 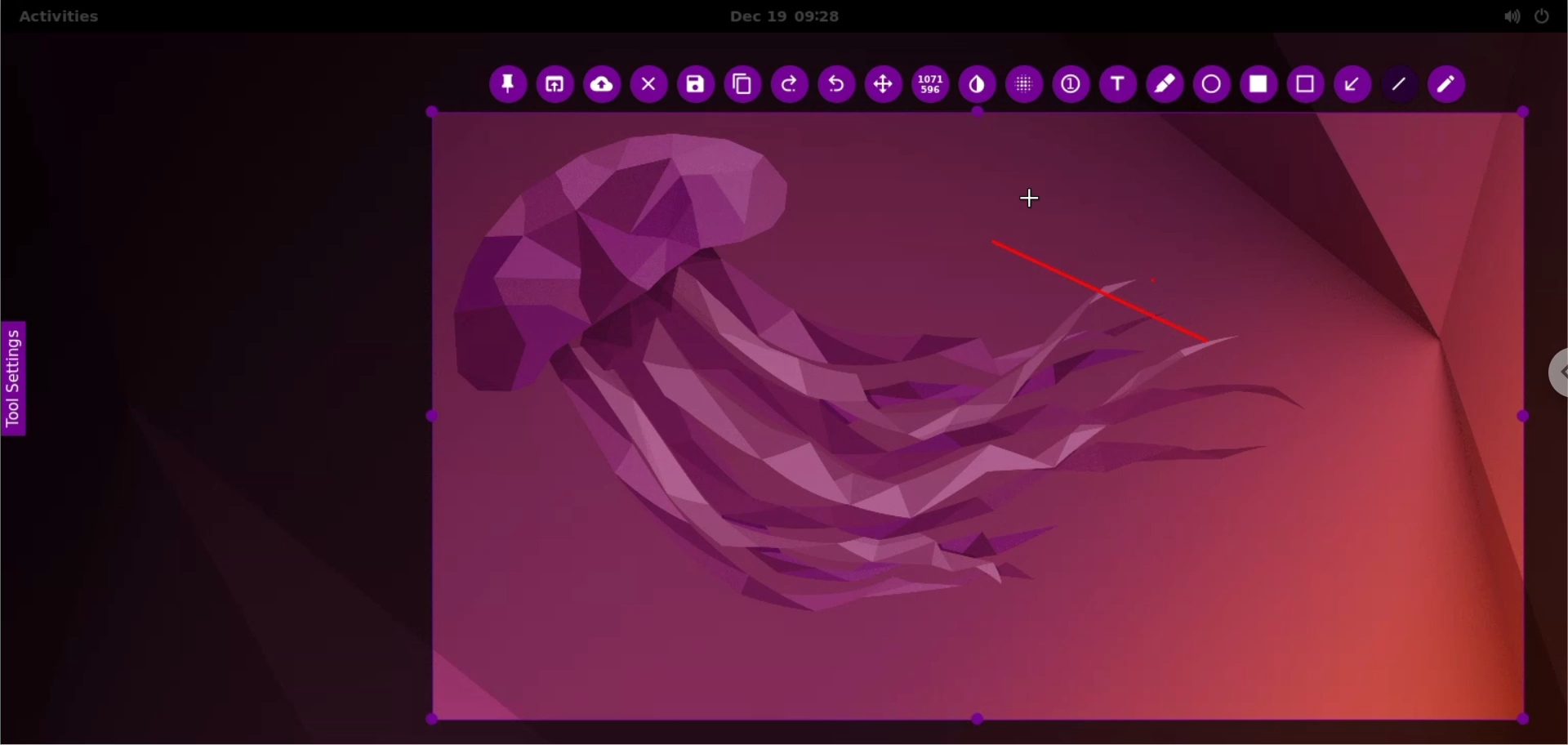 I want to click on selection, so click(x=1261, y=86).